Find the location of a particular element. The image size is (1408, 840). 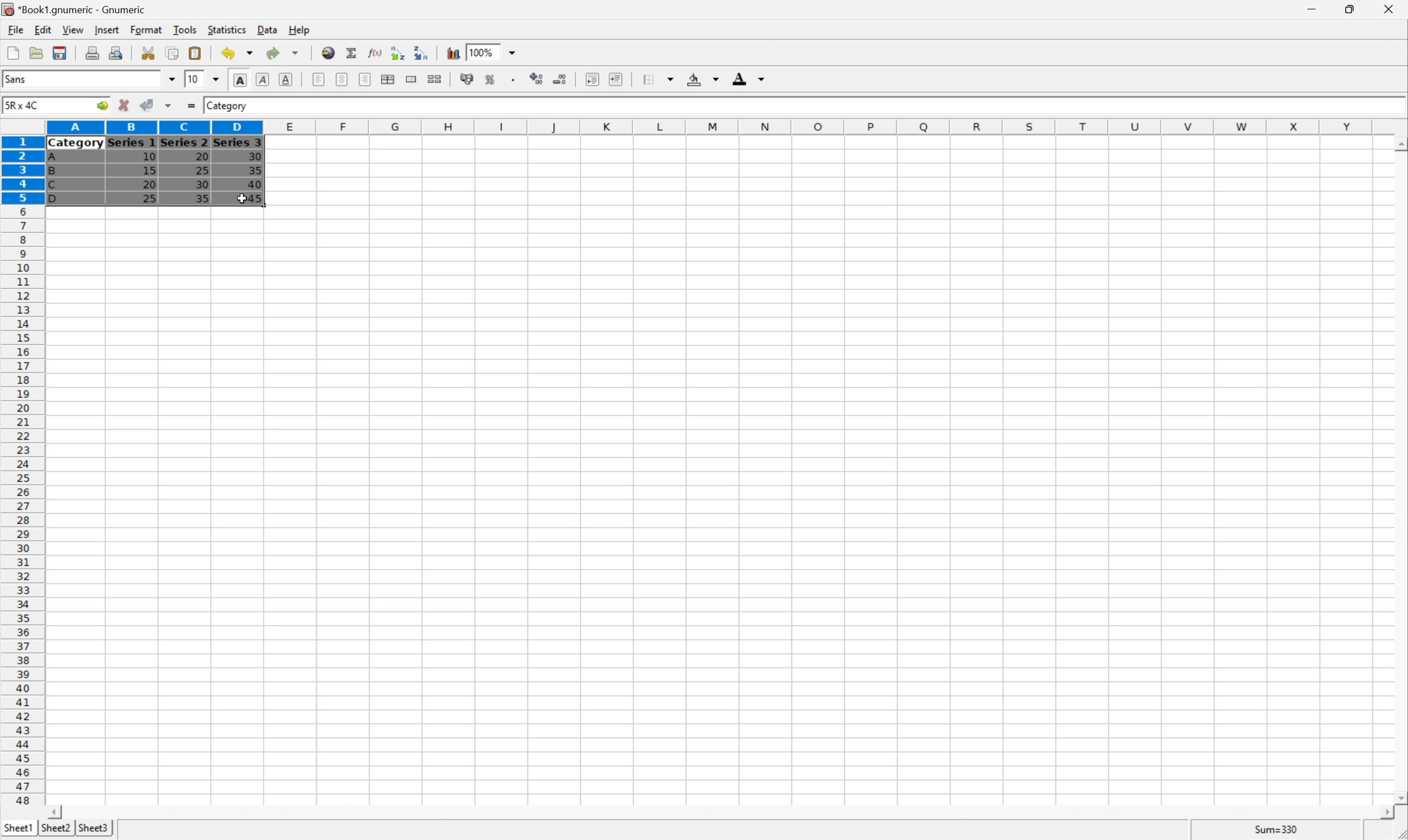

Statistics is located at coordinates (228, 30).